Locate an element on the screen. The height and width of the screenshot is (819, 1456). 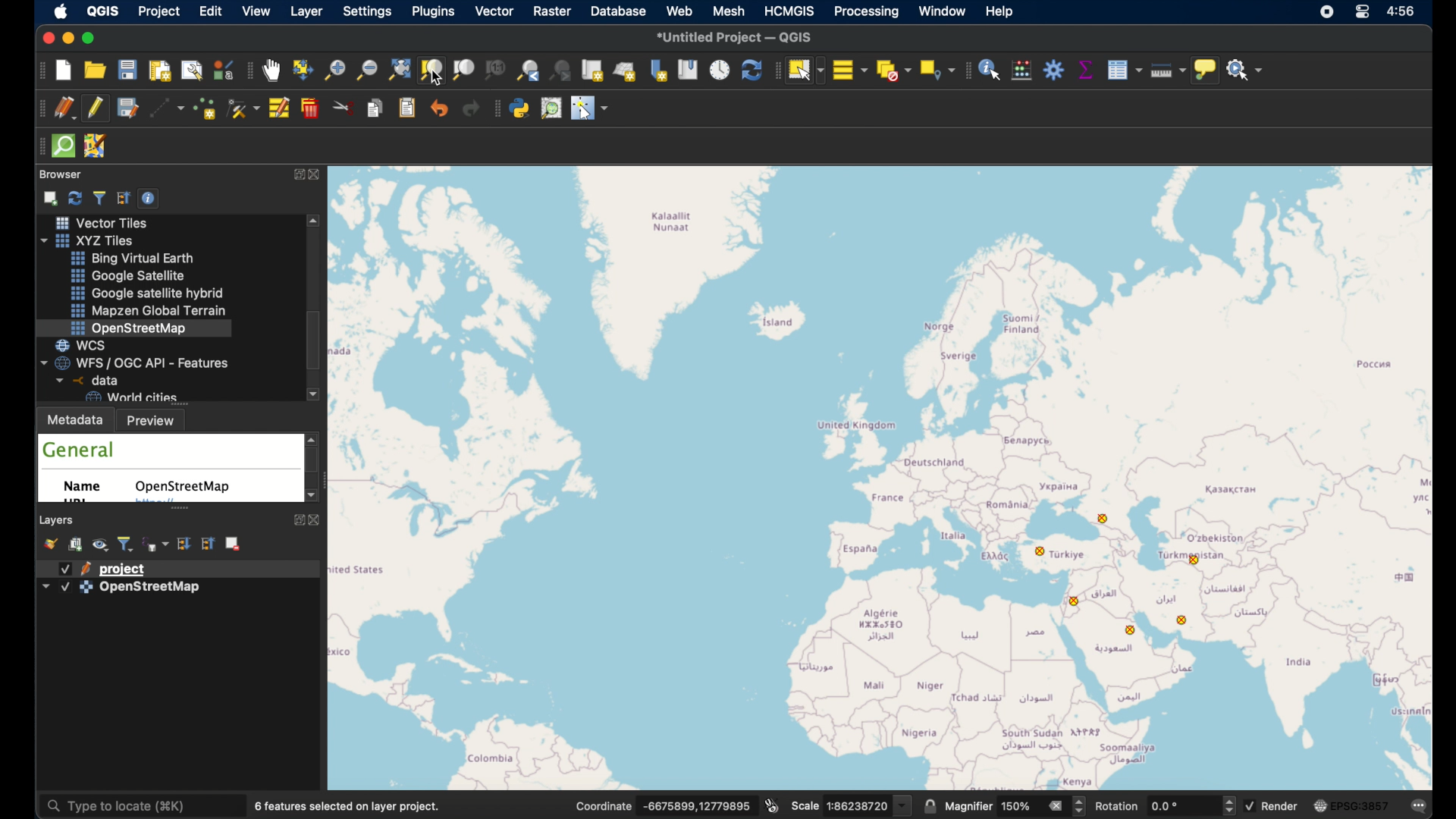
measure line is located at coordinates (1164, 69).